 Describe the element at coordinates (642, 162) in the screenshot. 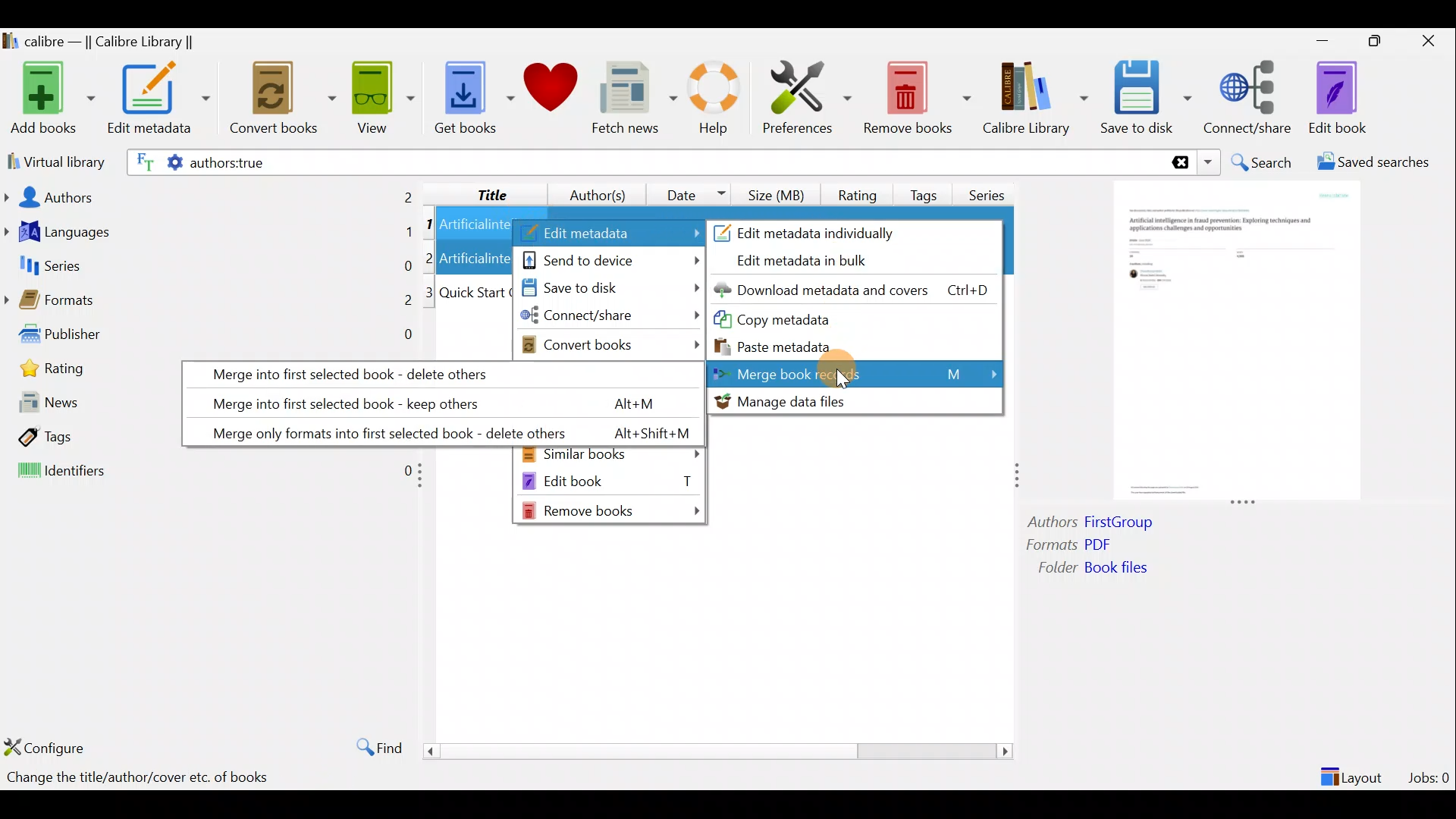

I see `Search by - authors:true` at that location.